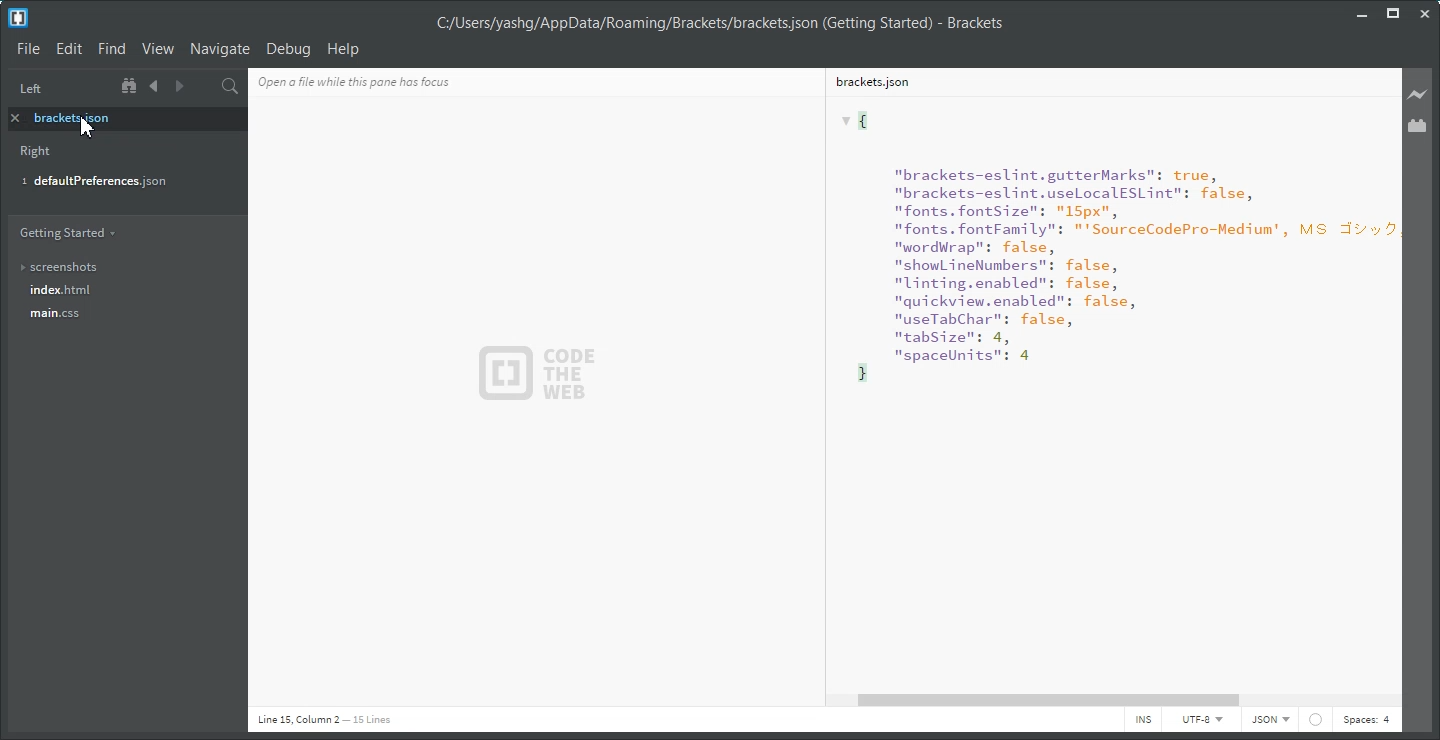 The height and width of the screenshot is (740, 1440). I want to click on Close, so click(1424, 14).